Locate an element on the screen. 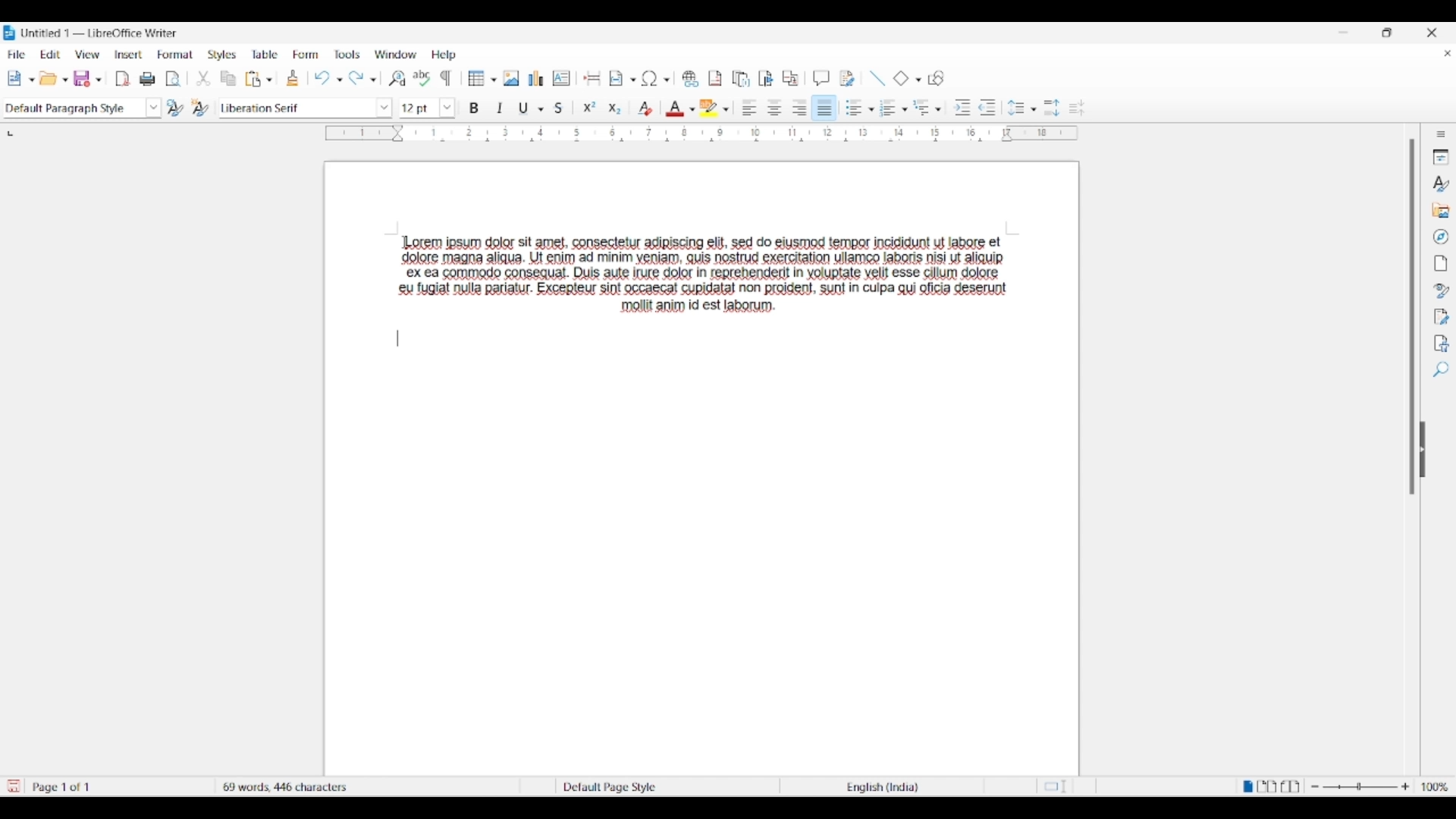 Image resolution: width=1456 pixels, height=819 pixels. 69 words, 446 characters is located at coordinates (287, 785).